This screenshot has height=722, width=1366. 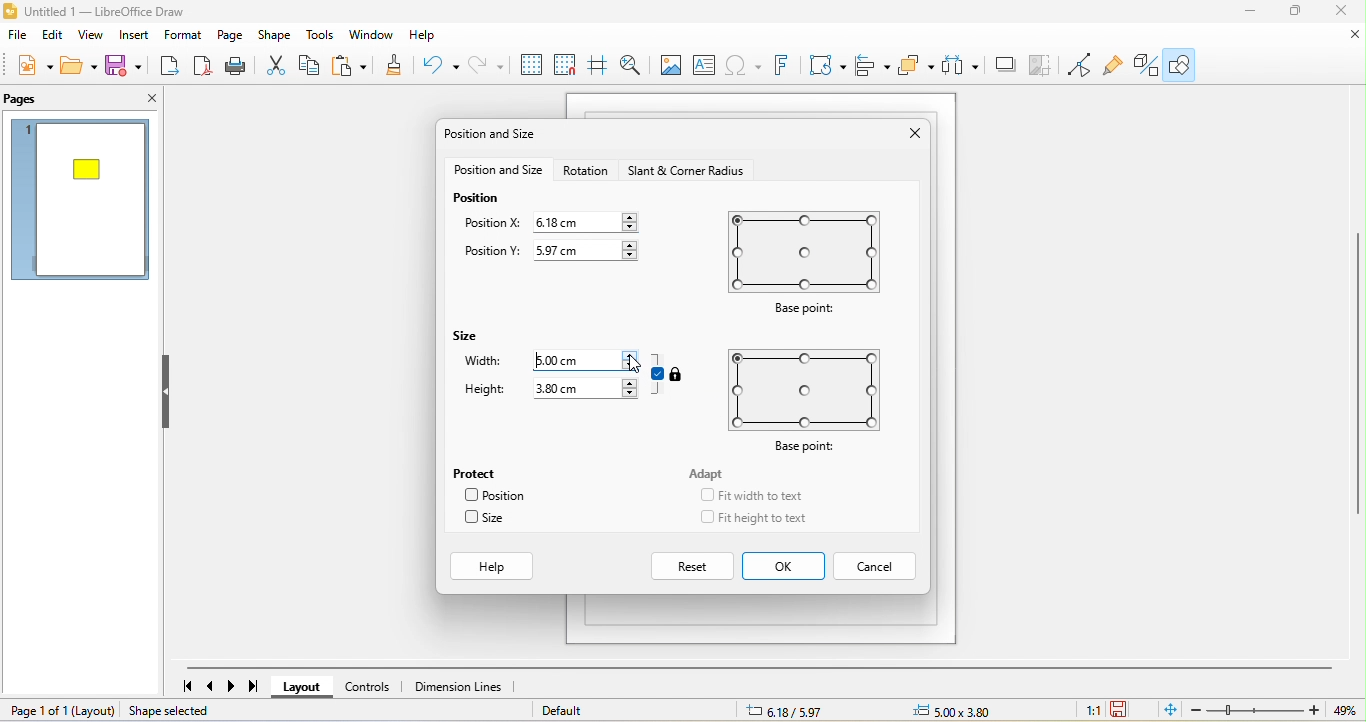 I want to click on shadow, so click(x=1006, y=64).